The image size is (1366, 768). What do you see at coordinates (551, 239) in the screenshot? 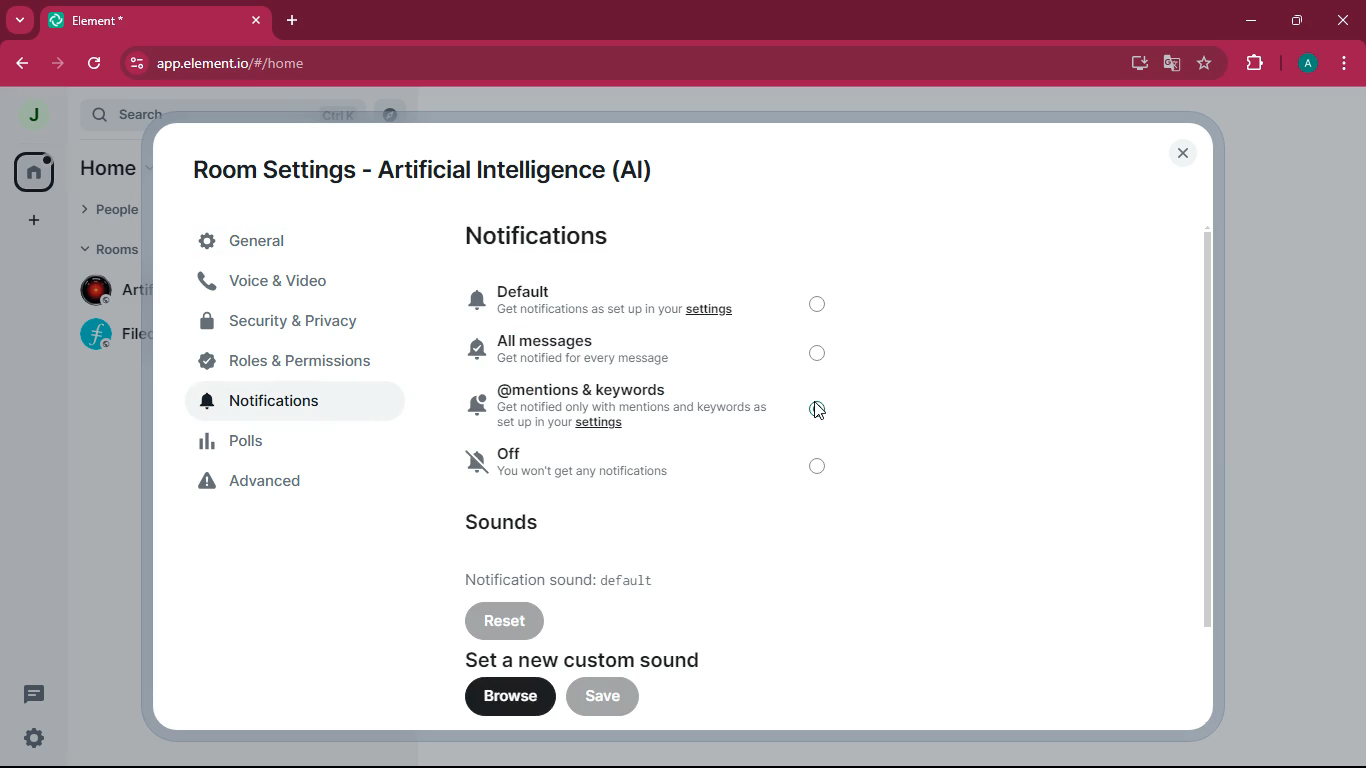
I see `notifications` at bounding box center [551, 239].